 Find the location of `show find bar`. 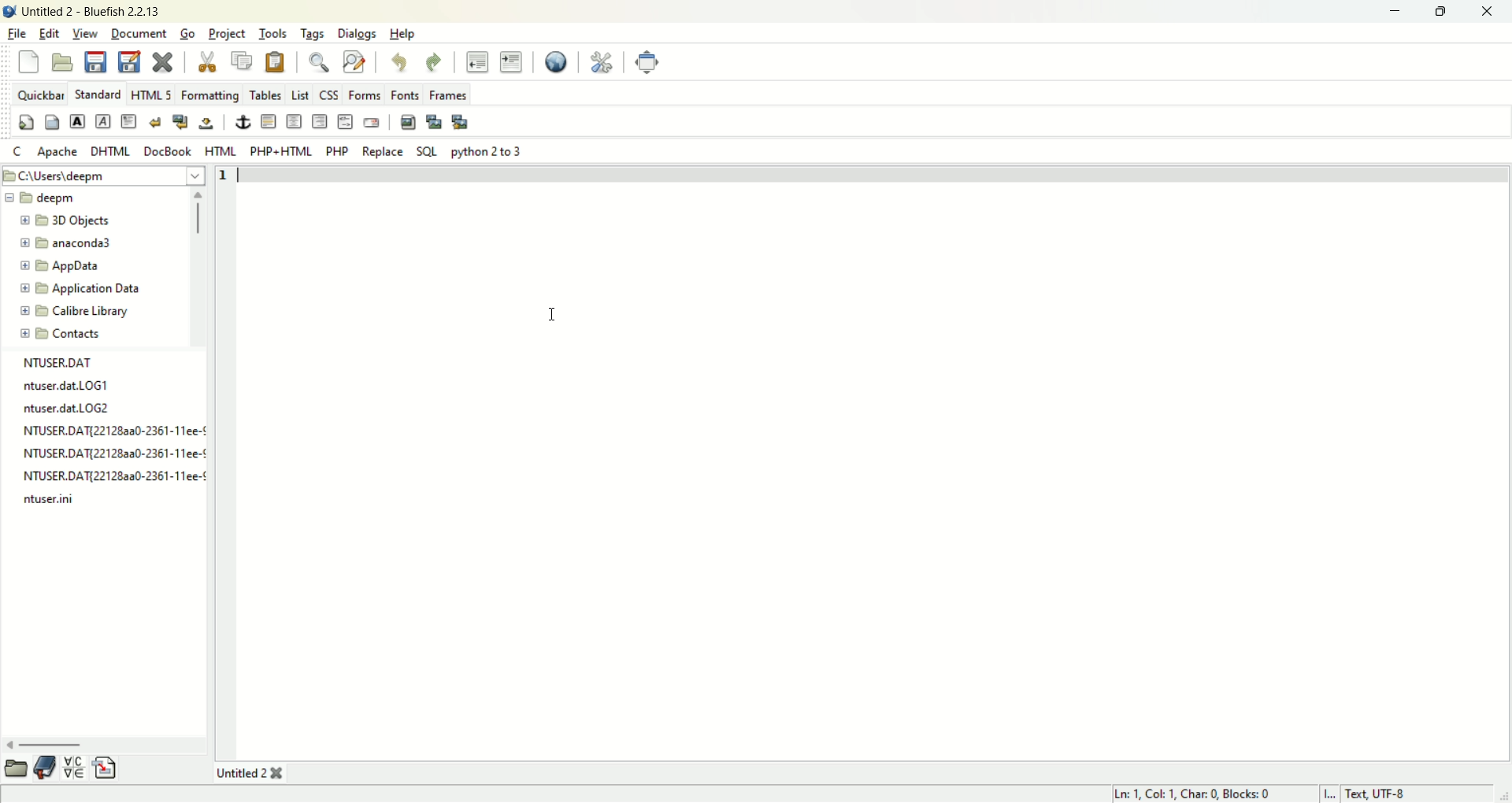

show find bar is located at coordinates (317, 61).